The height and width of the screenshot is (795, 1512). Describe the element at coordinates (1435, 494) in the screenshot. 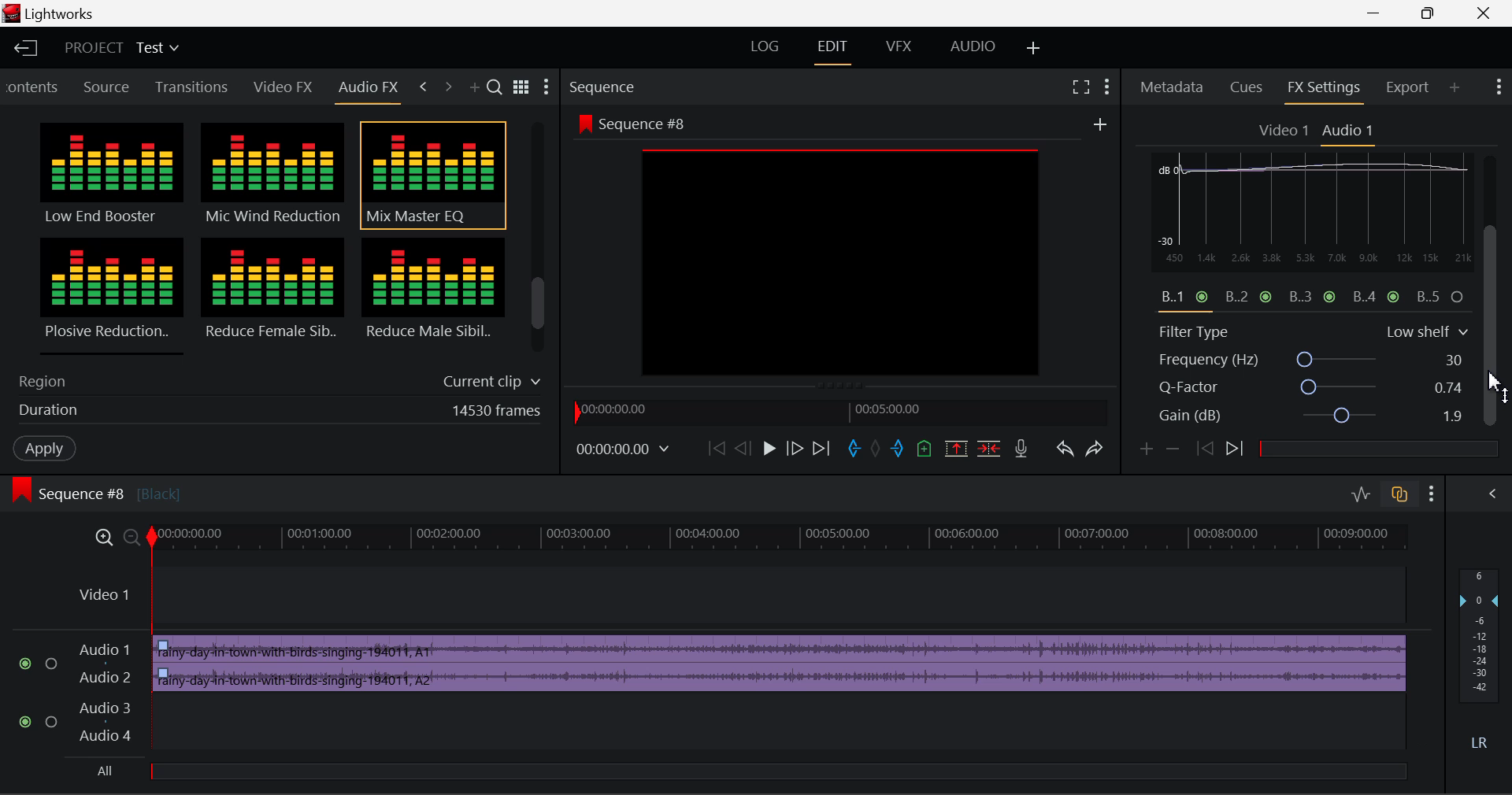

I see `Show Settings` at that location.